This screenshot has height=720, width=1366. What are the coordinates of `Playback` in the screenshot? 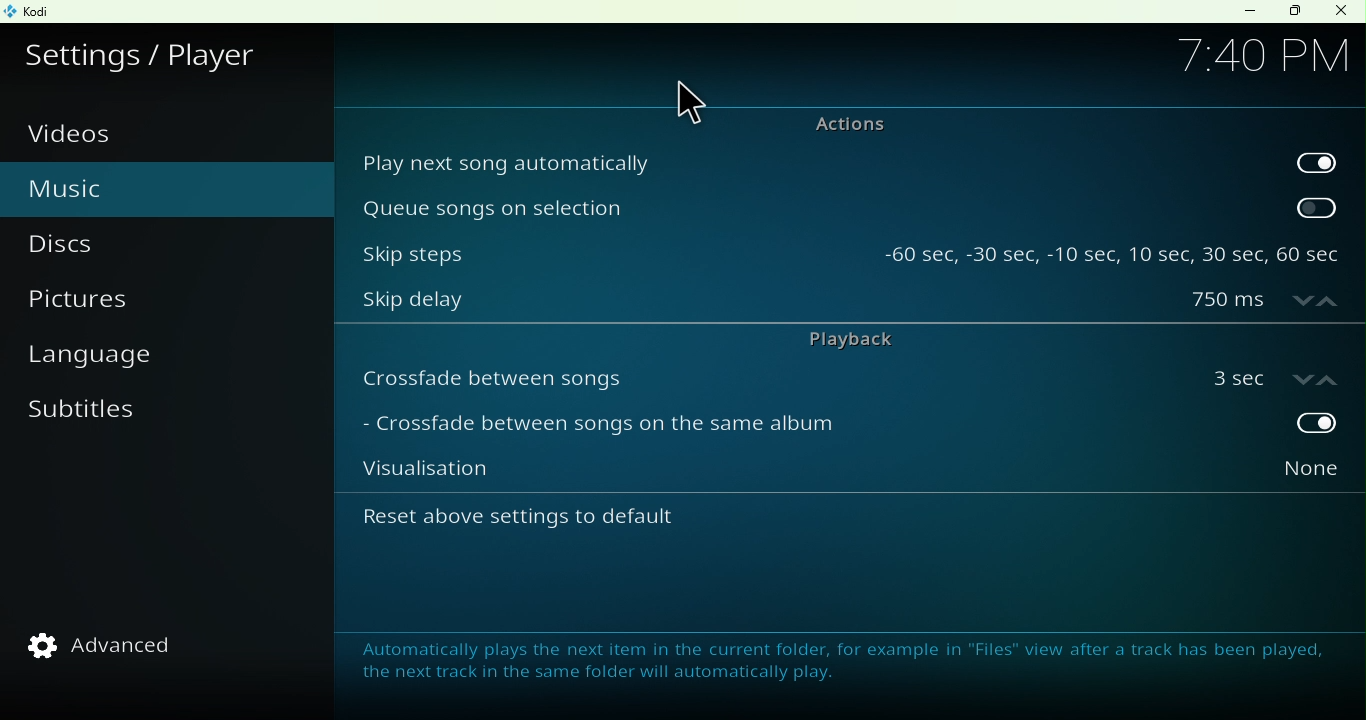 It's located at (840, 339).